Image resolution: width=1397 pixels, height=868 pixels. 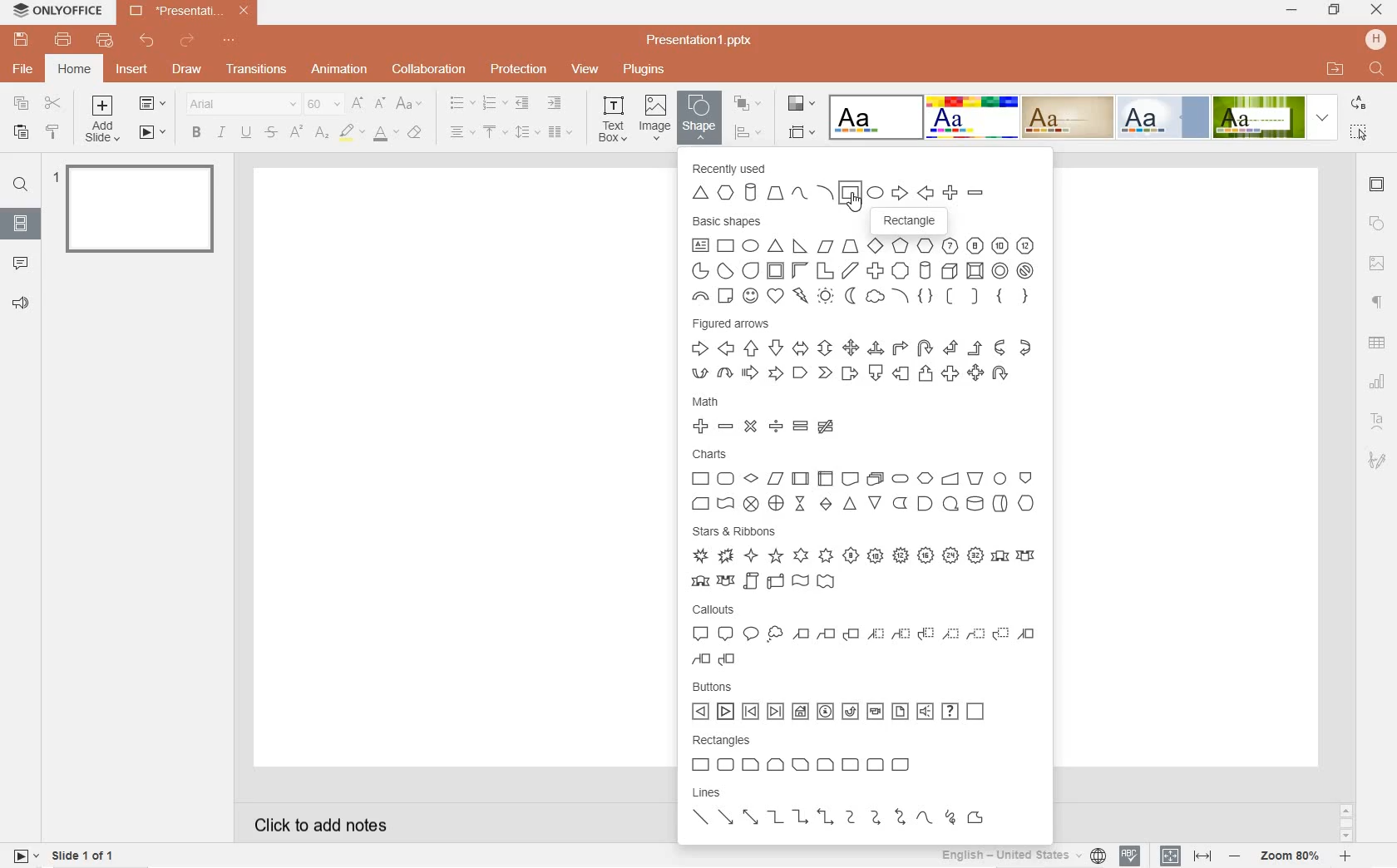 What do you see at coordinates (750, 374) in the screenshot?
I see `Striped right arrow` at bounding box center [750, 374].